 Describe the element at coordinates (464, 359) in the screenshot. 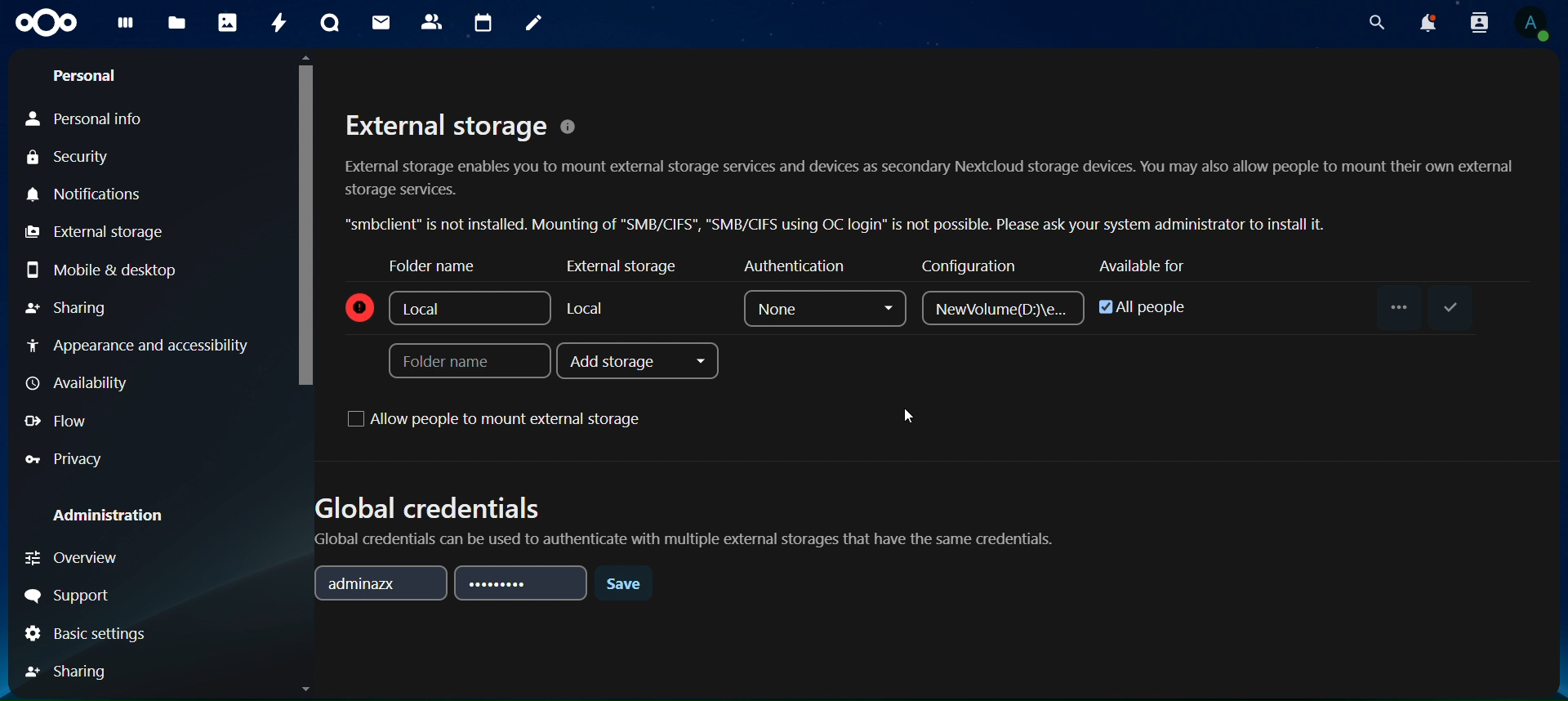

I see `folder name` at that location.